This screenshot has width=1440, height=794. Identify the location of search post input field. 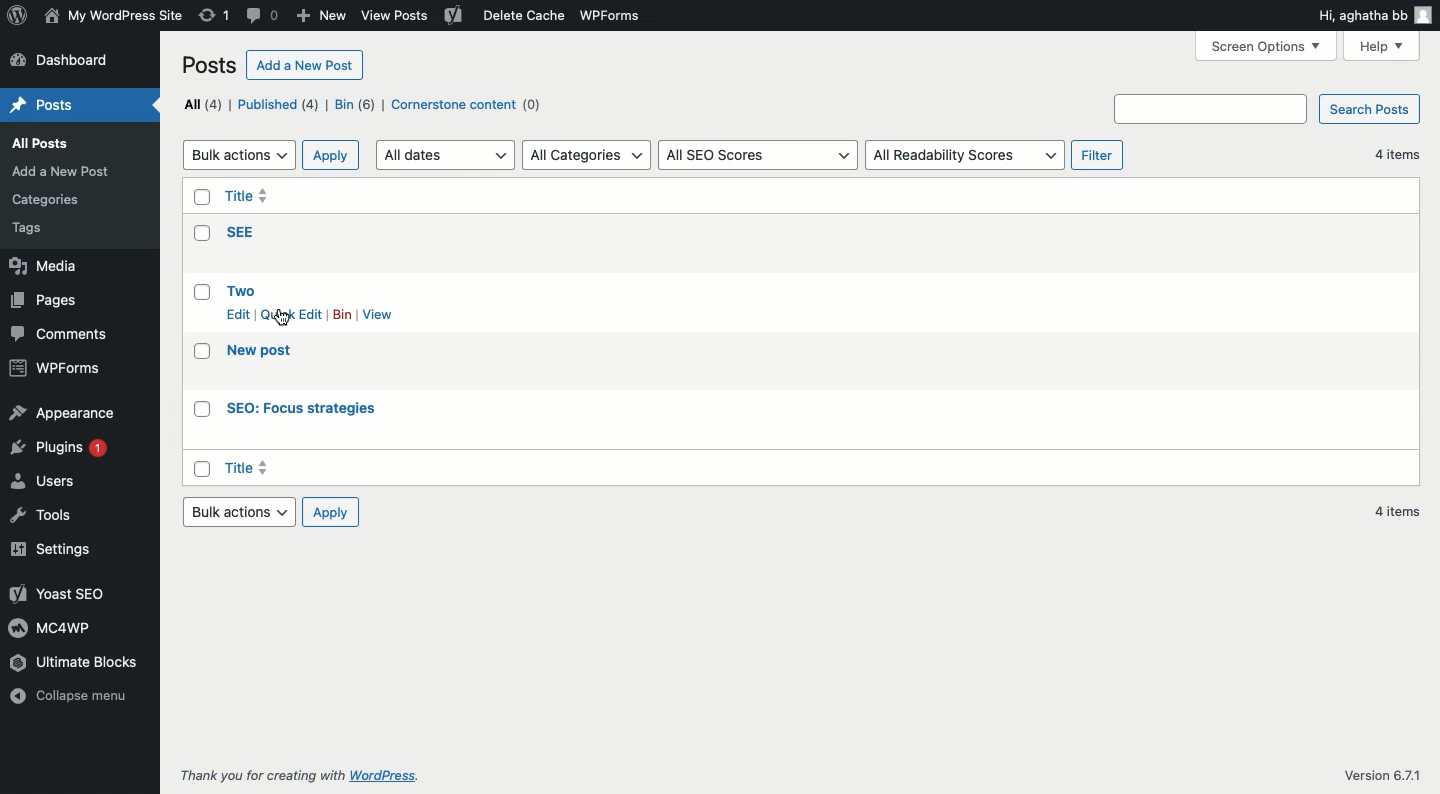
(1211, 108).